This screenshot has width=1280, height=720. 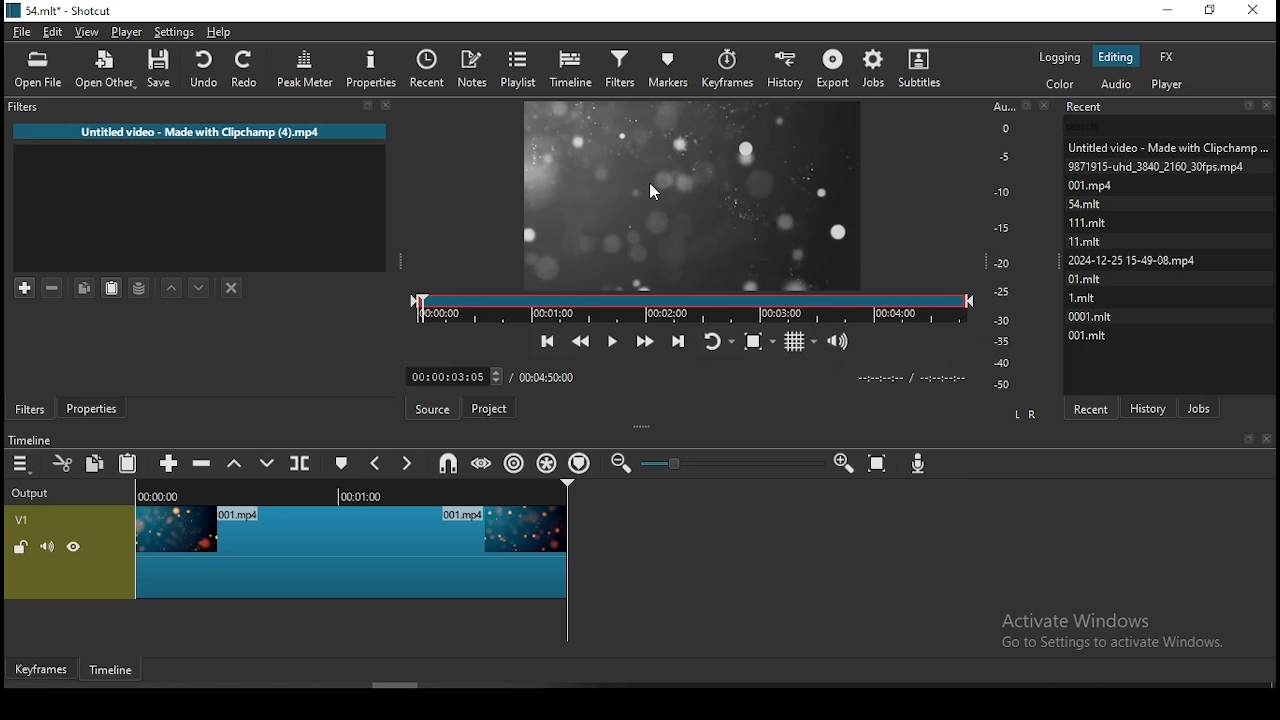 I want to click on close window, so click(x=1253, y=9).